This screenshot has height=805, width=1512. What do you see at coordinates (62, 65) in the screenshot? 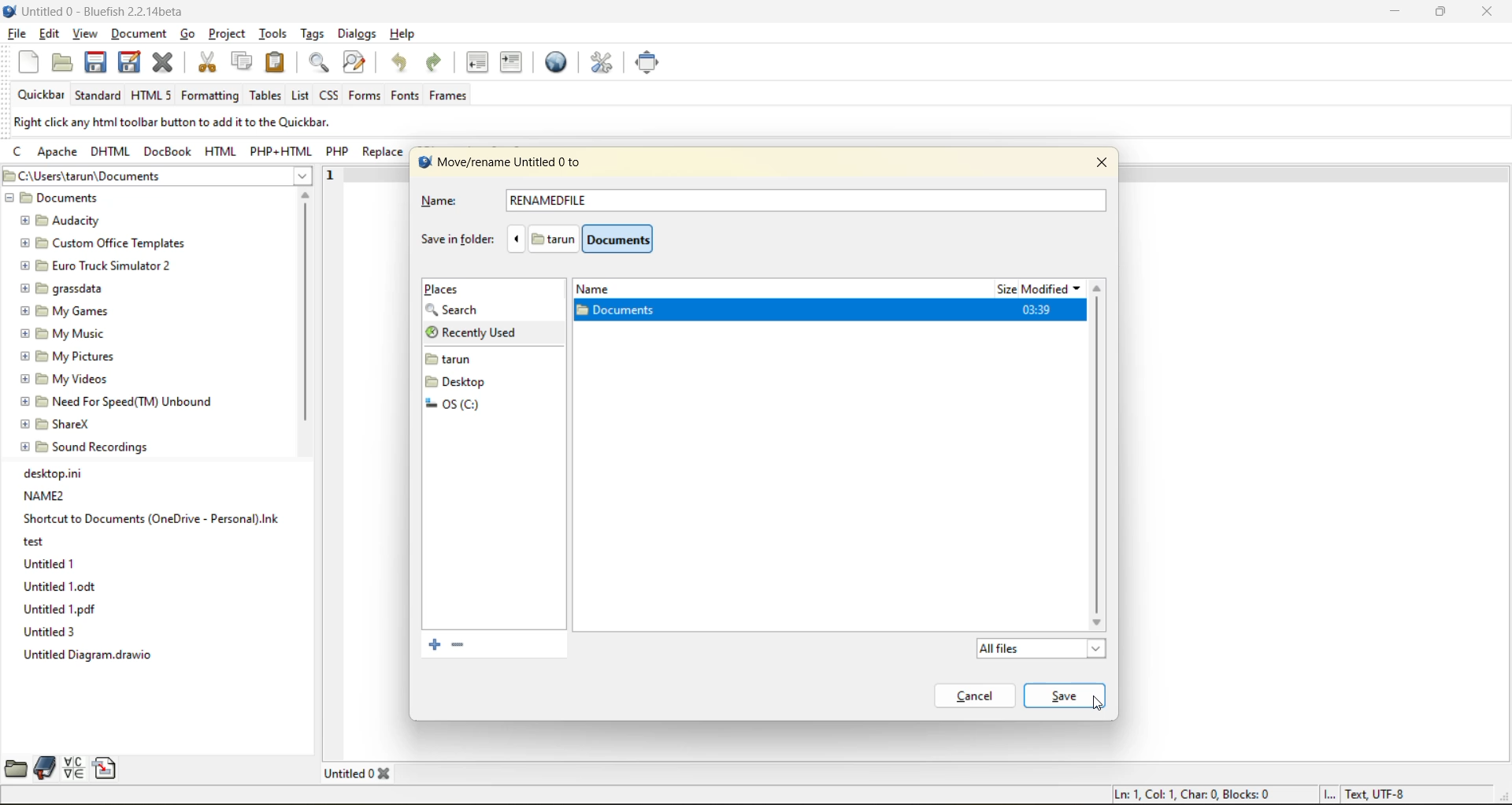
I see `open` at bounding box center [62, 65].